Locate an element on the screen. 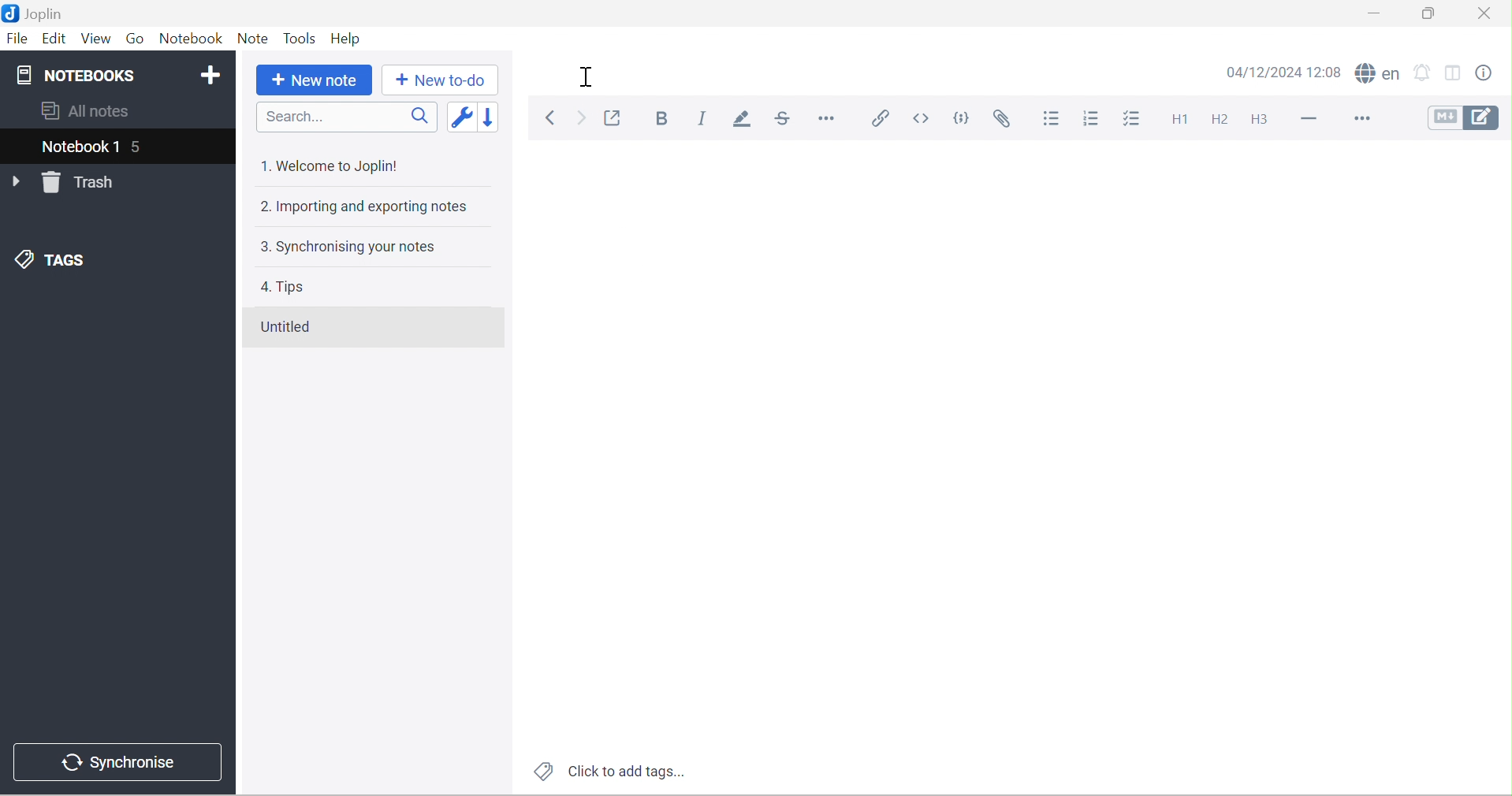  TAGS is located at coordinates (54, 259).